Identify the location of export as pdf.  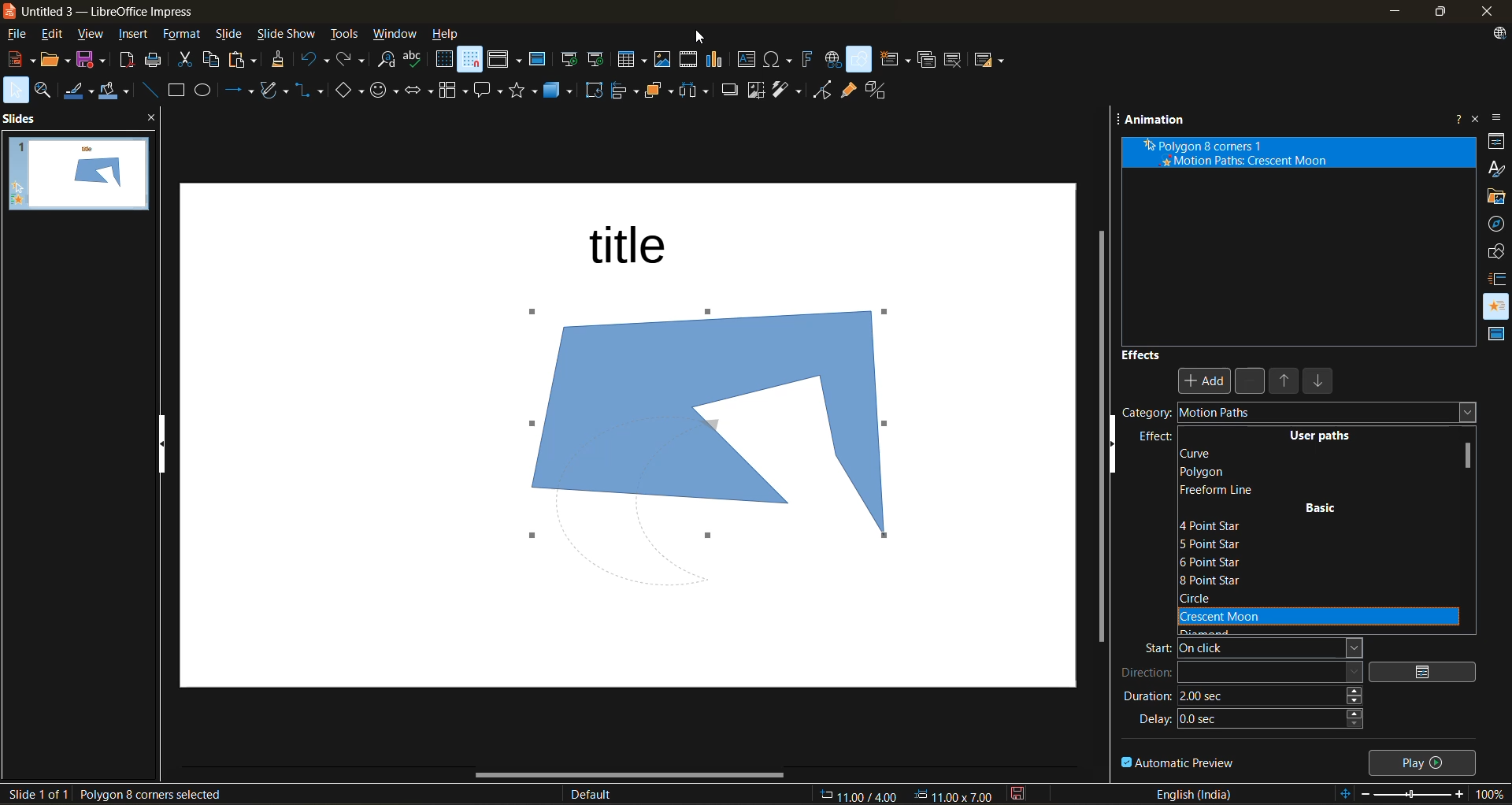
(125, 59).